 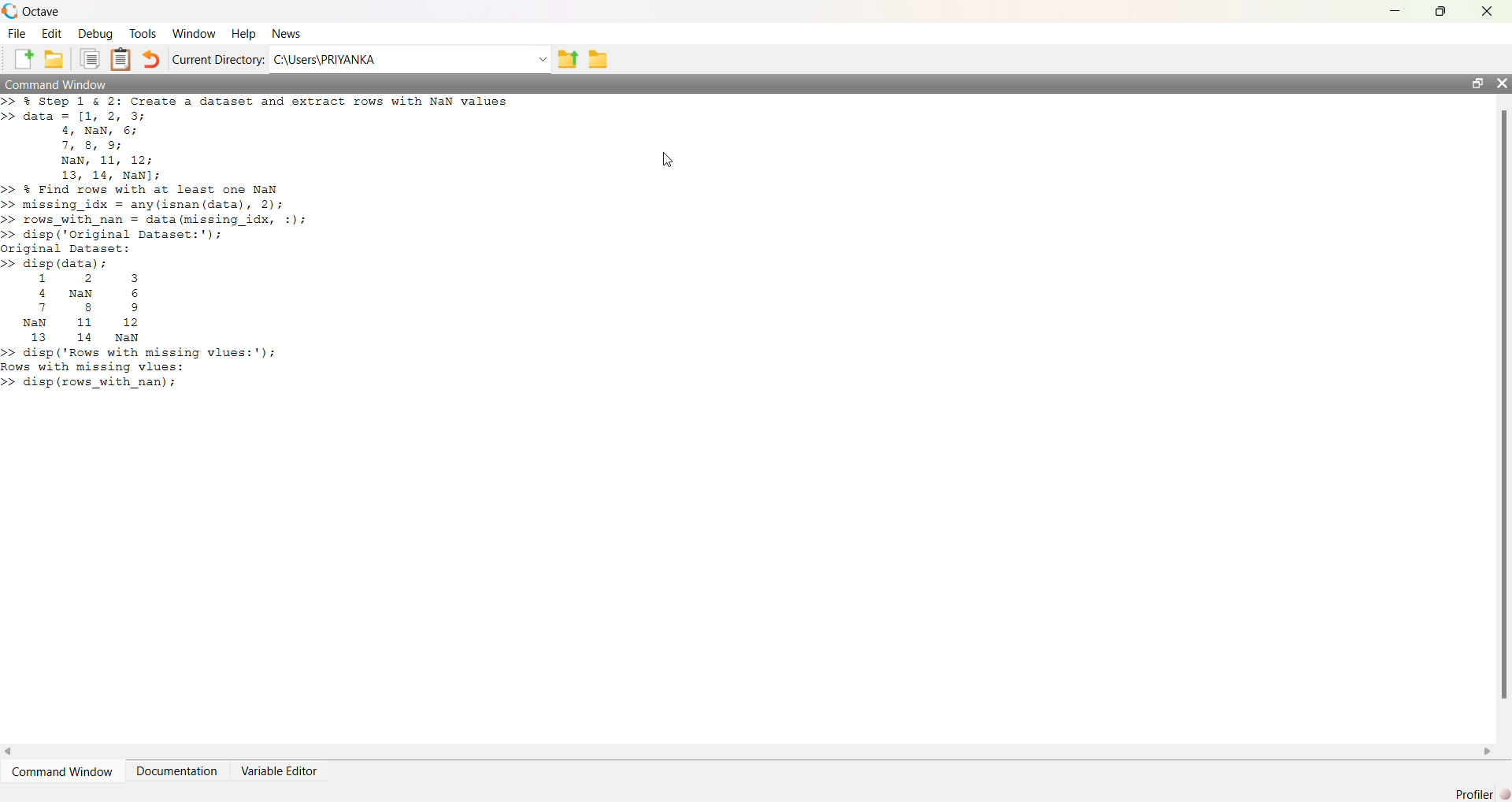 What do you see at coordinates (150, 59) in the screenshot?
I see `Undo` at bounding box center [150, 59].